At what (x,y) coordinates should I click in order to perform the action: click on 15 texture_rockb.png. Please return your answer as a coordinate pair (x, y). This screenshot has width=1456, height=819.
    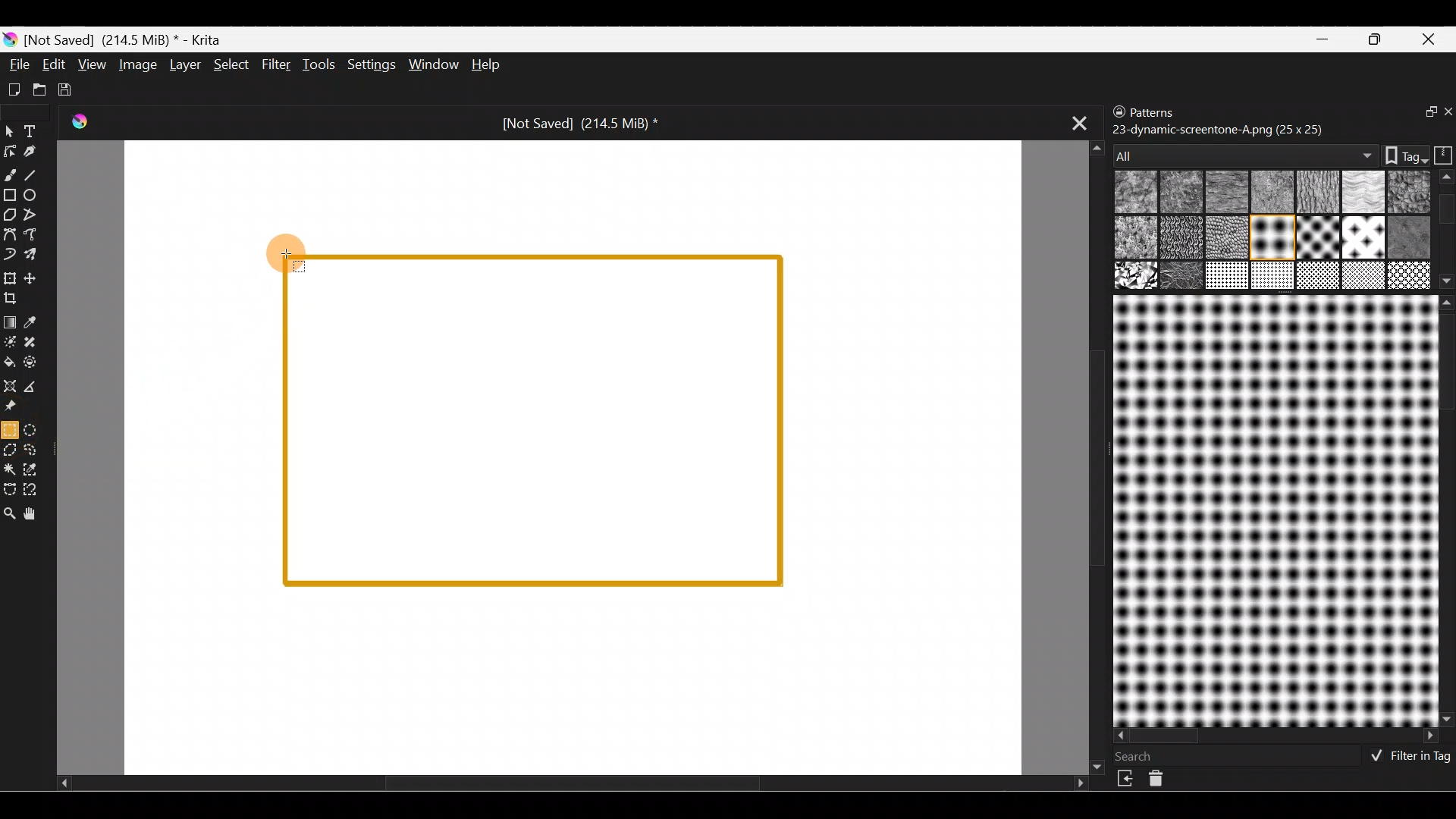
    Looking at the image, I should click on (1183, 277).